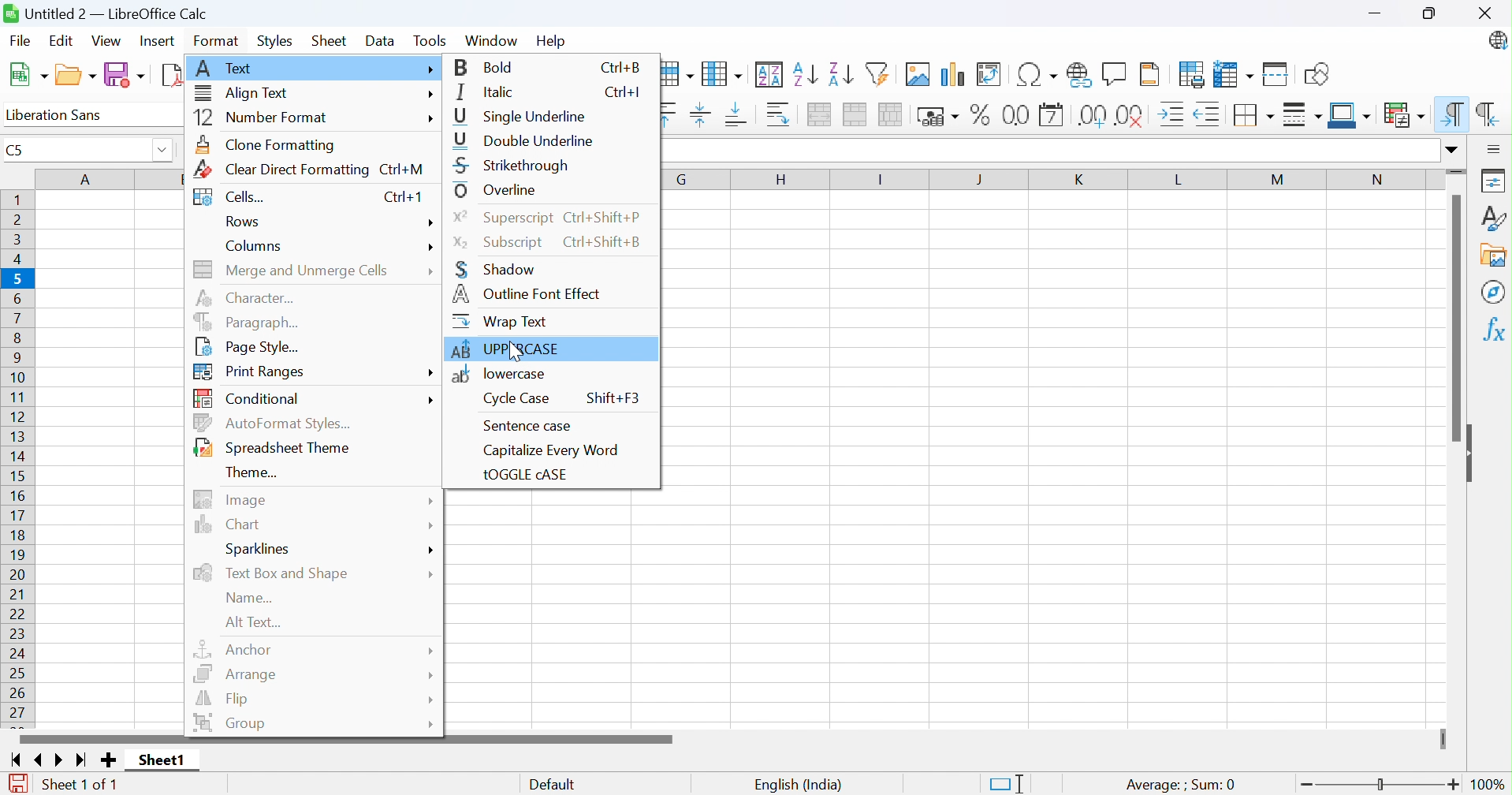  Describe the element at coordinates (736, 114) in the screenshot. I see `Align bottom` at that location.